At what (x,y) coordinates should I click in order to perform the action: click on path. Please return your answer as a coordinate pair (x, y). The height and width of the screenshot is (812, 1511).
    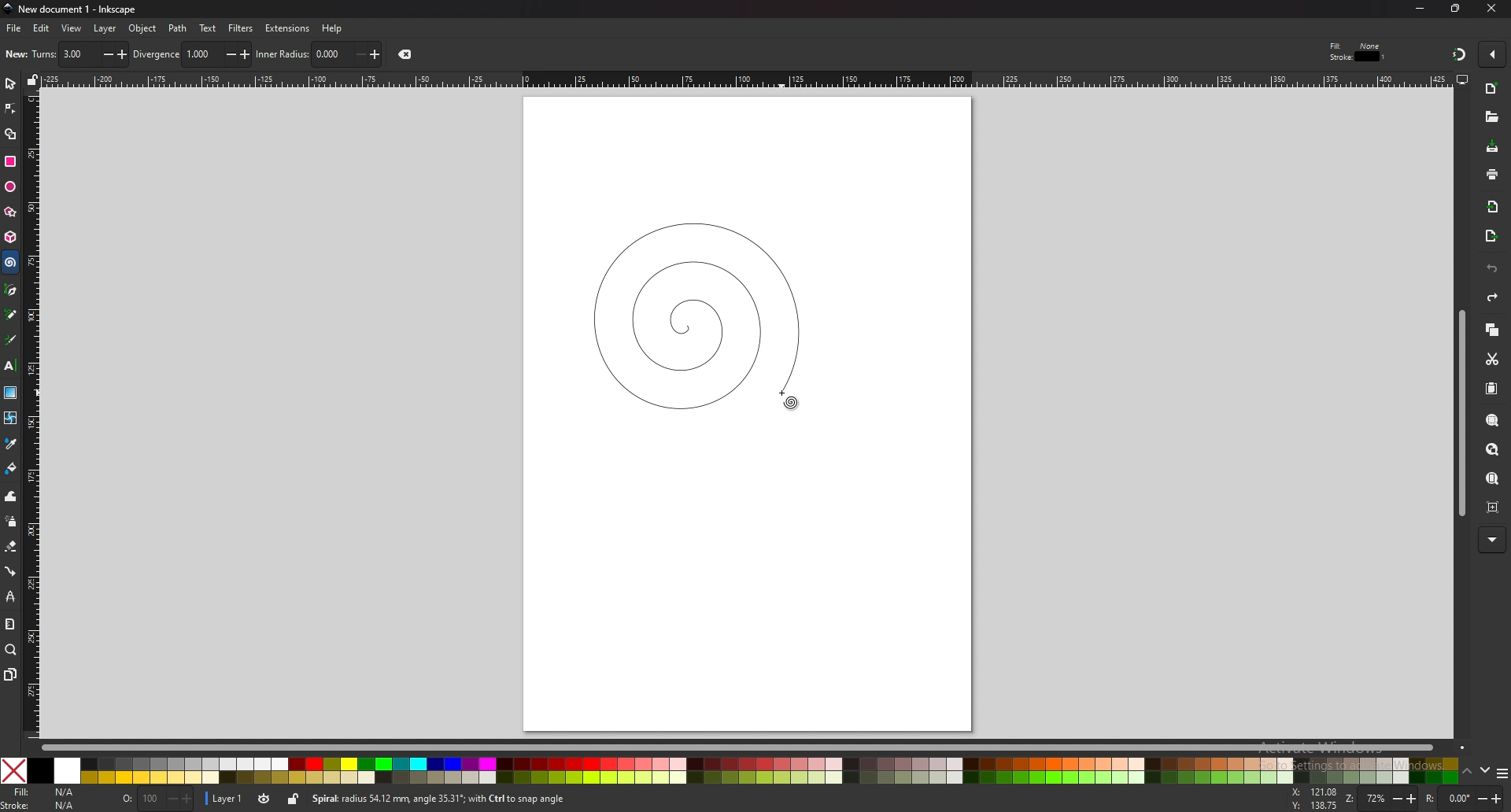
    Looking at the image, I should click on (178, 28).